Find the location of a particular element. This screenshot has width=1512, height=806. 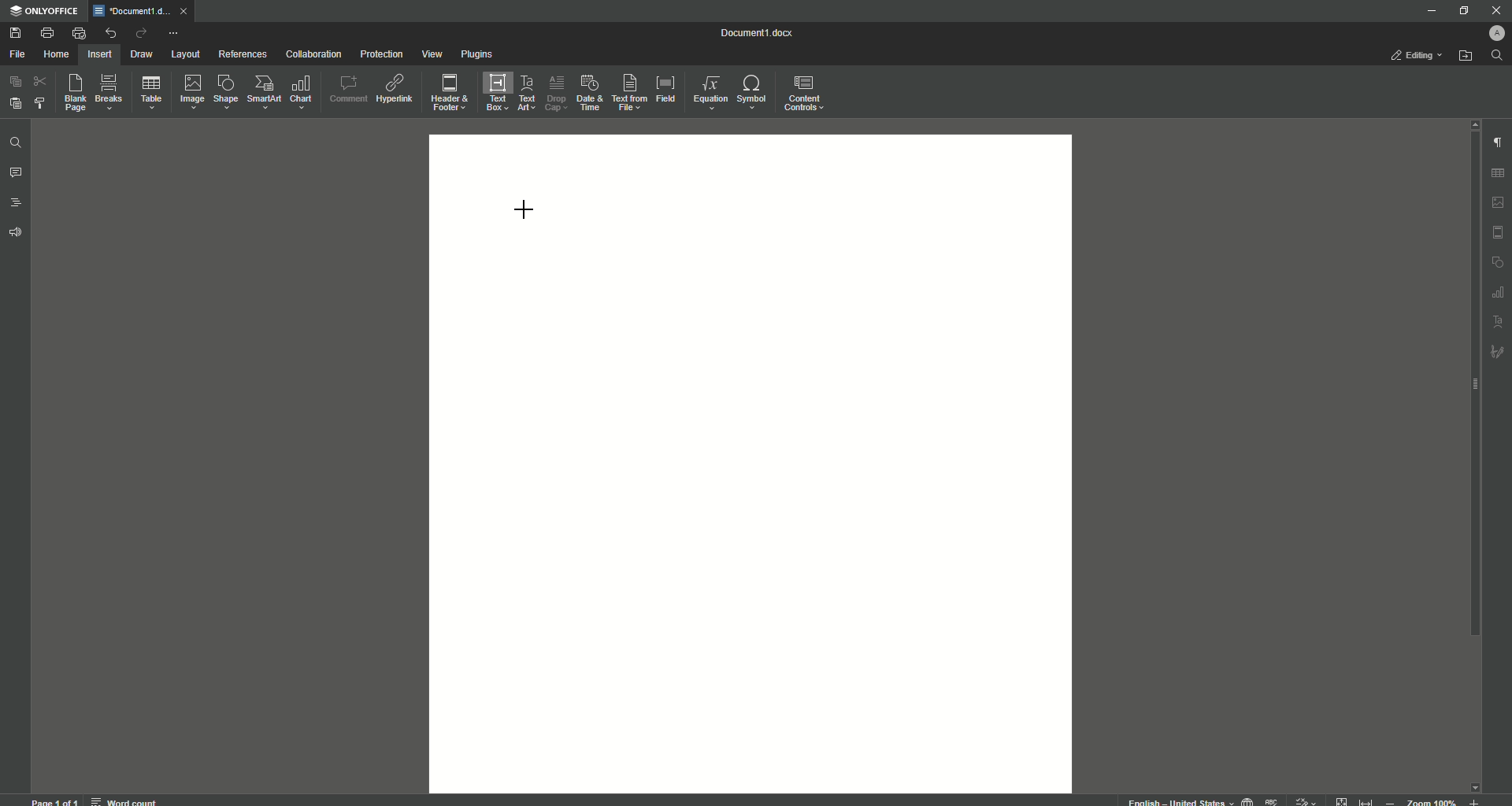

Close is located at coordinates (1495, 10).